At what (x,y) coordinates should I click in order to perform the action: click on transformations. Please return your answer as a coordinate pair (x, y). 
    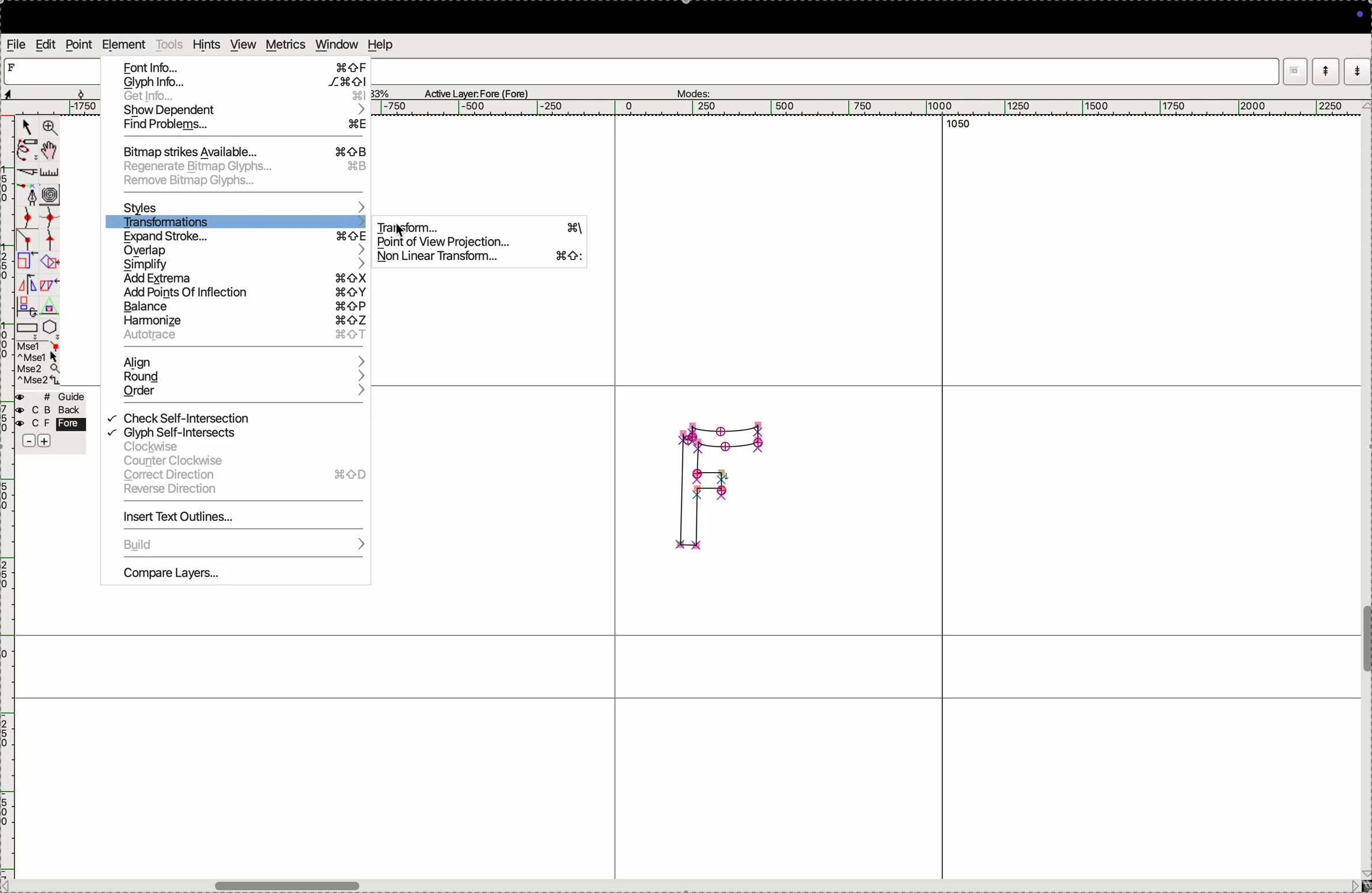
    Looking at the image, I should click on (246, 222).